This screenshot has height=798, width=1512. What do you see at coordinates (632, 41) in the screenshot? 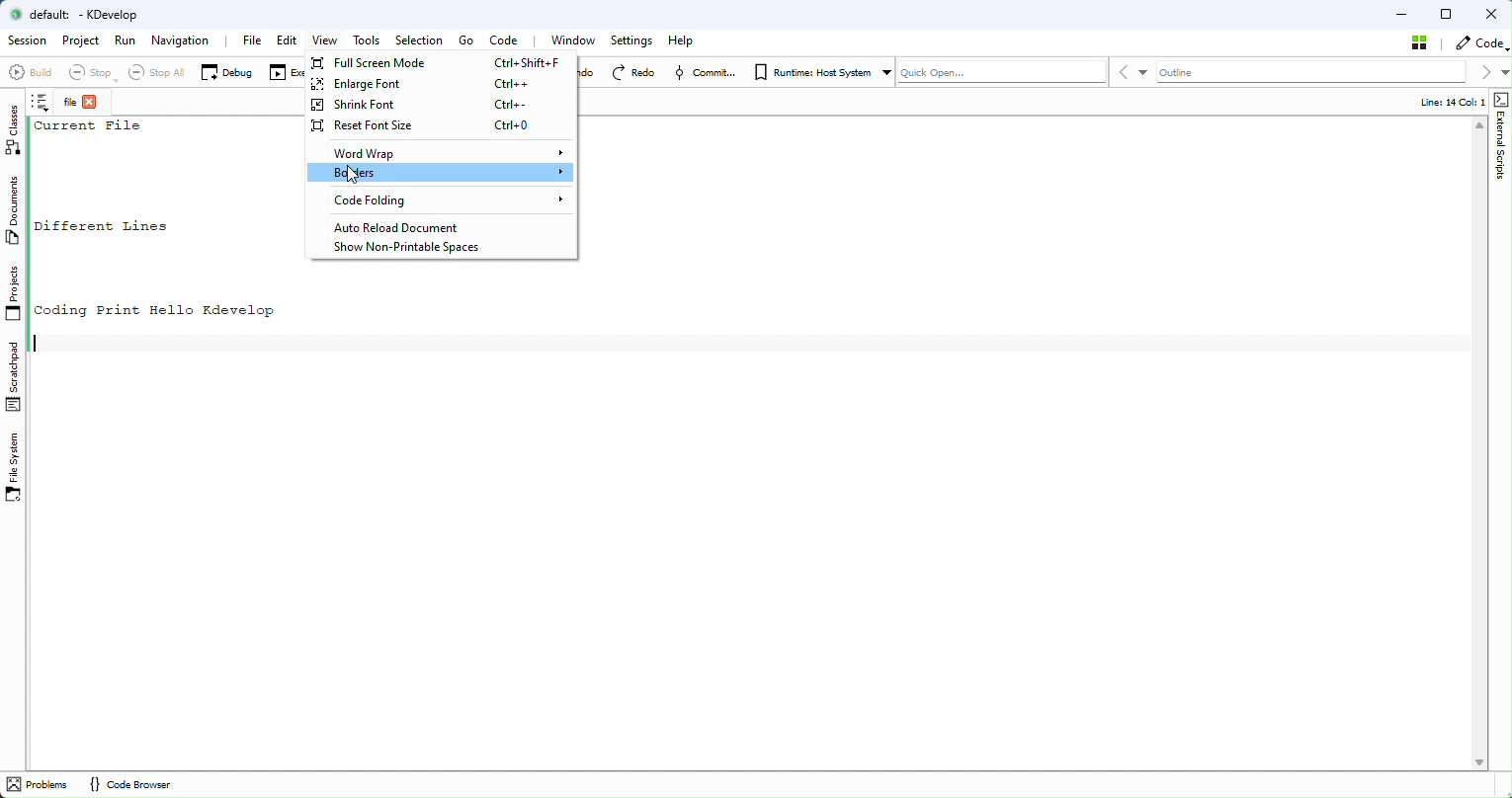
I see `Settings` at bounding box center [632, 41].